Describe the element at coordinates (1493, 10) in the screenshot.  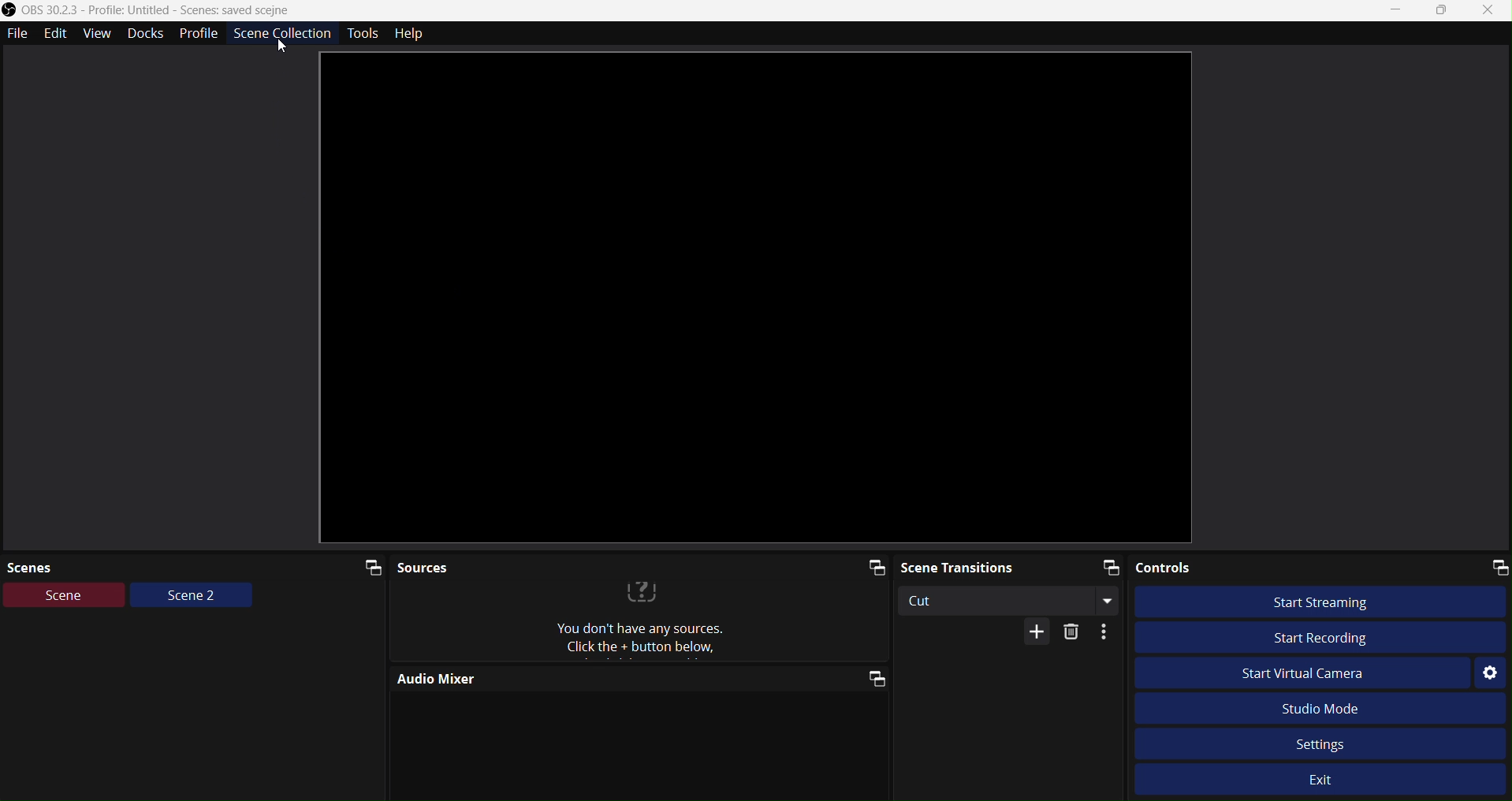
I see `Close` at that location.